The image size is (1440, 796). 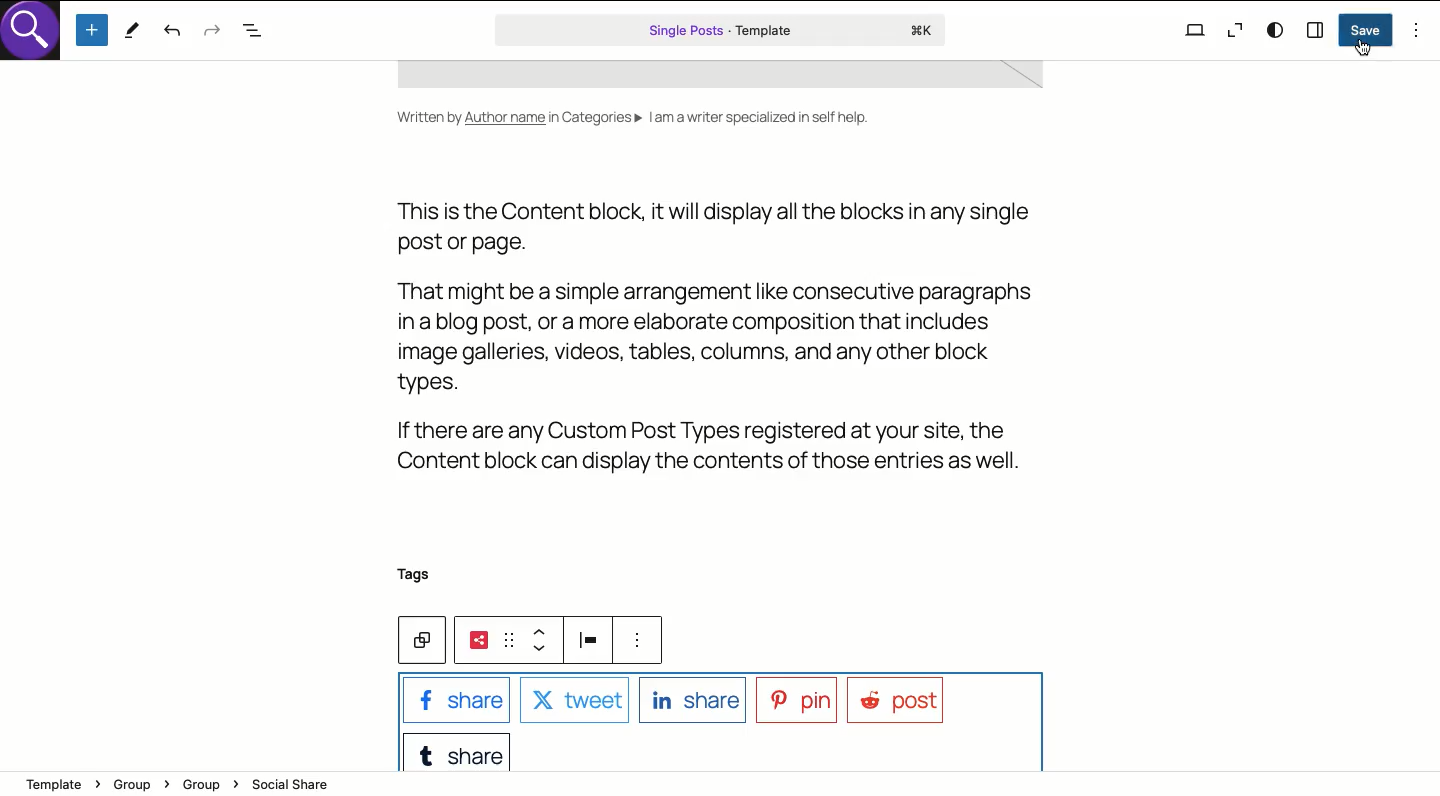 I want to click on Justification, so click(x=589, y=641).